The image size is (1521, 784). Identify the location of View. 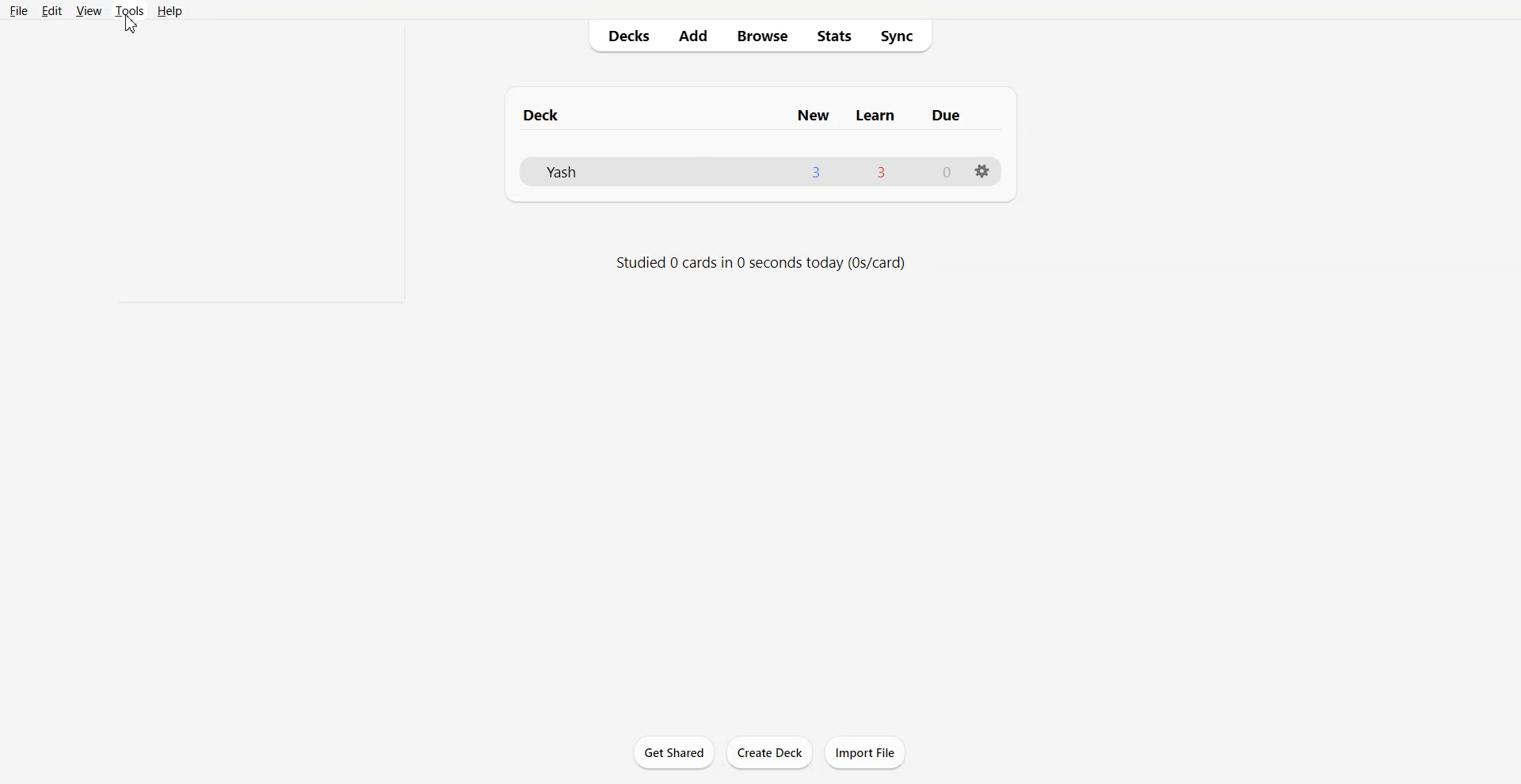
(90, 10).